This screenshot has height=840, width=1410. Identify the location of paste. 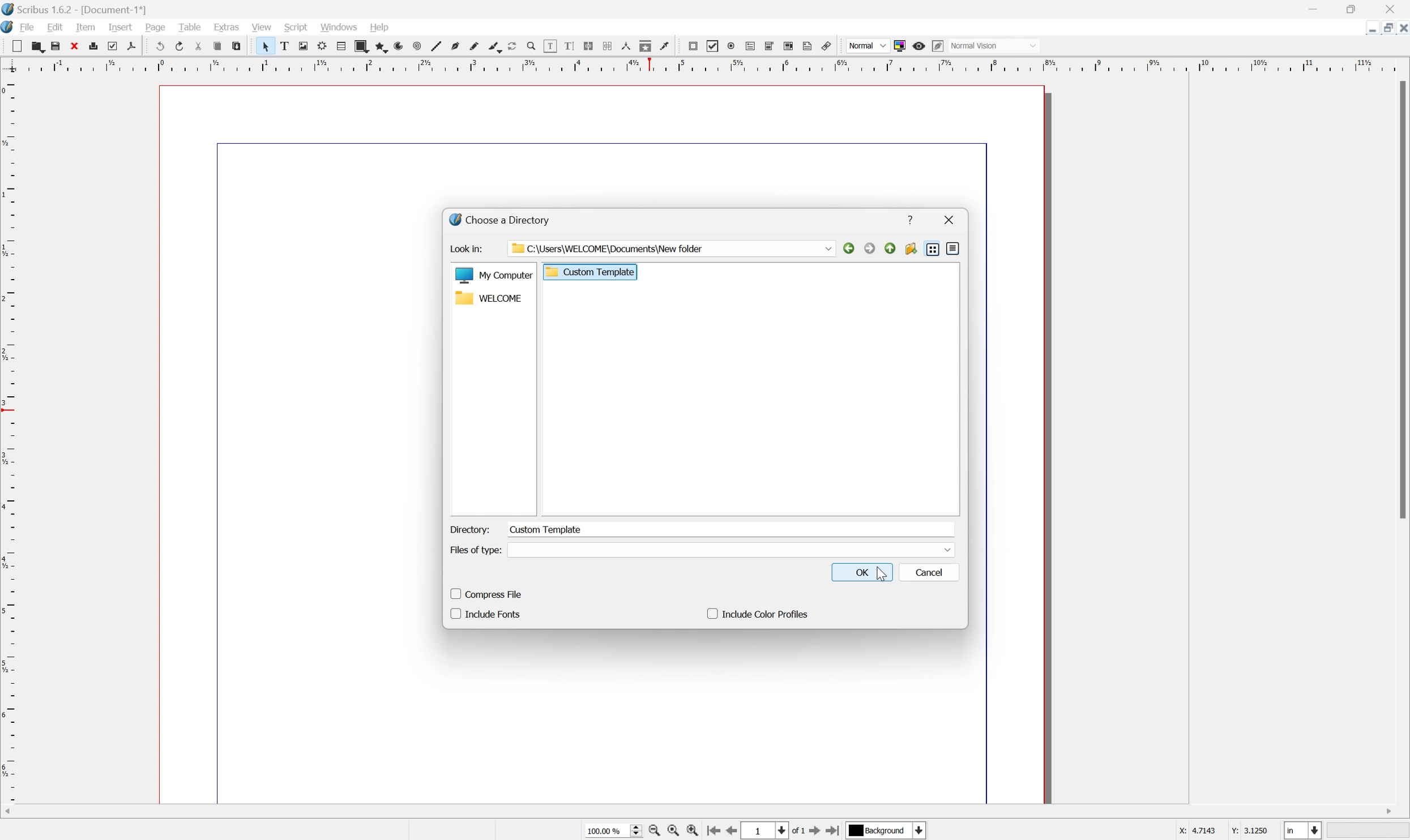
(240, 47).